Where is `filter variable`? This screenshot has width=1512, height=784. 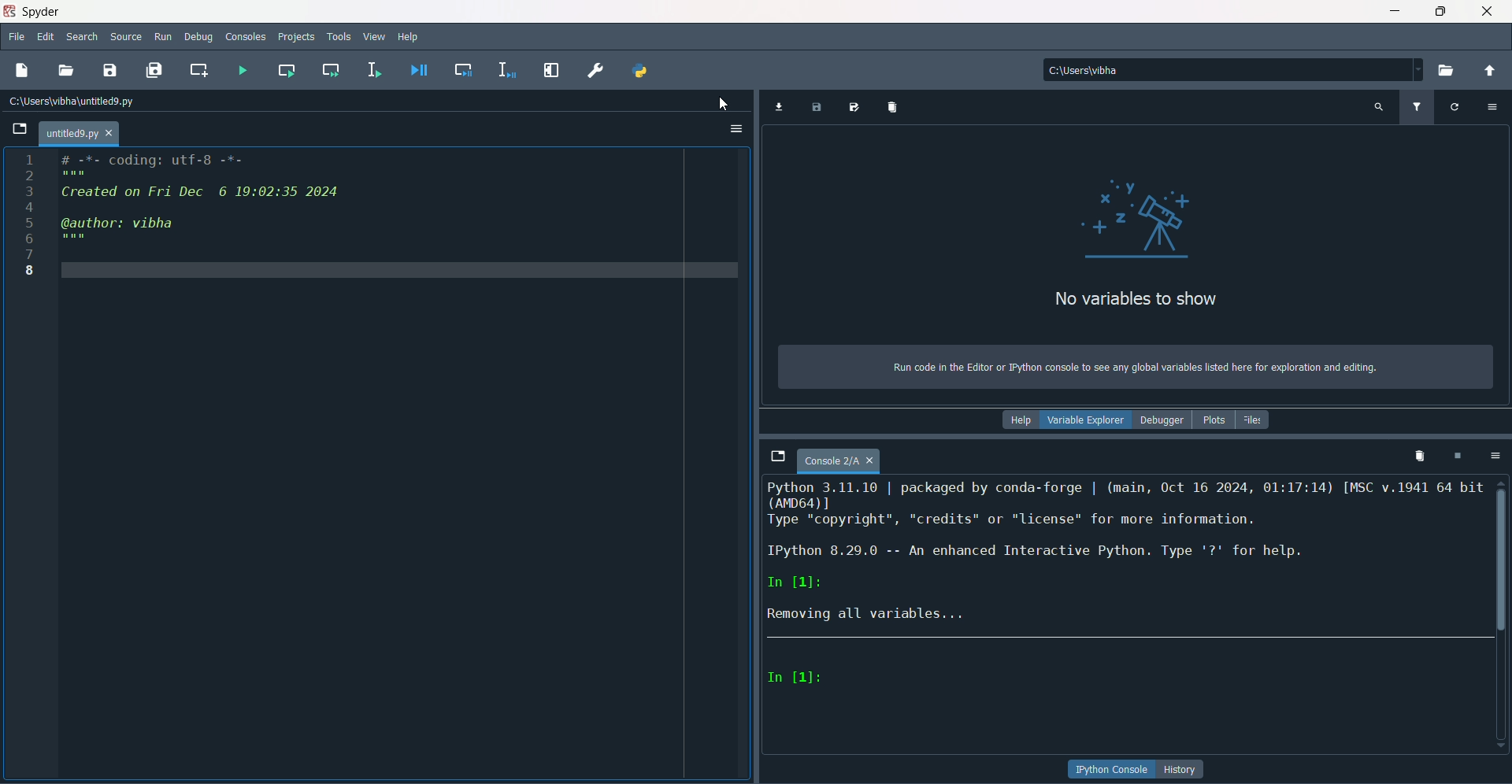 filter variable is located at coordinates (1416, 107).